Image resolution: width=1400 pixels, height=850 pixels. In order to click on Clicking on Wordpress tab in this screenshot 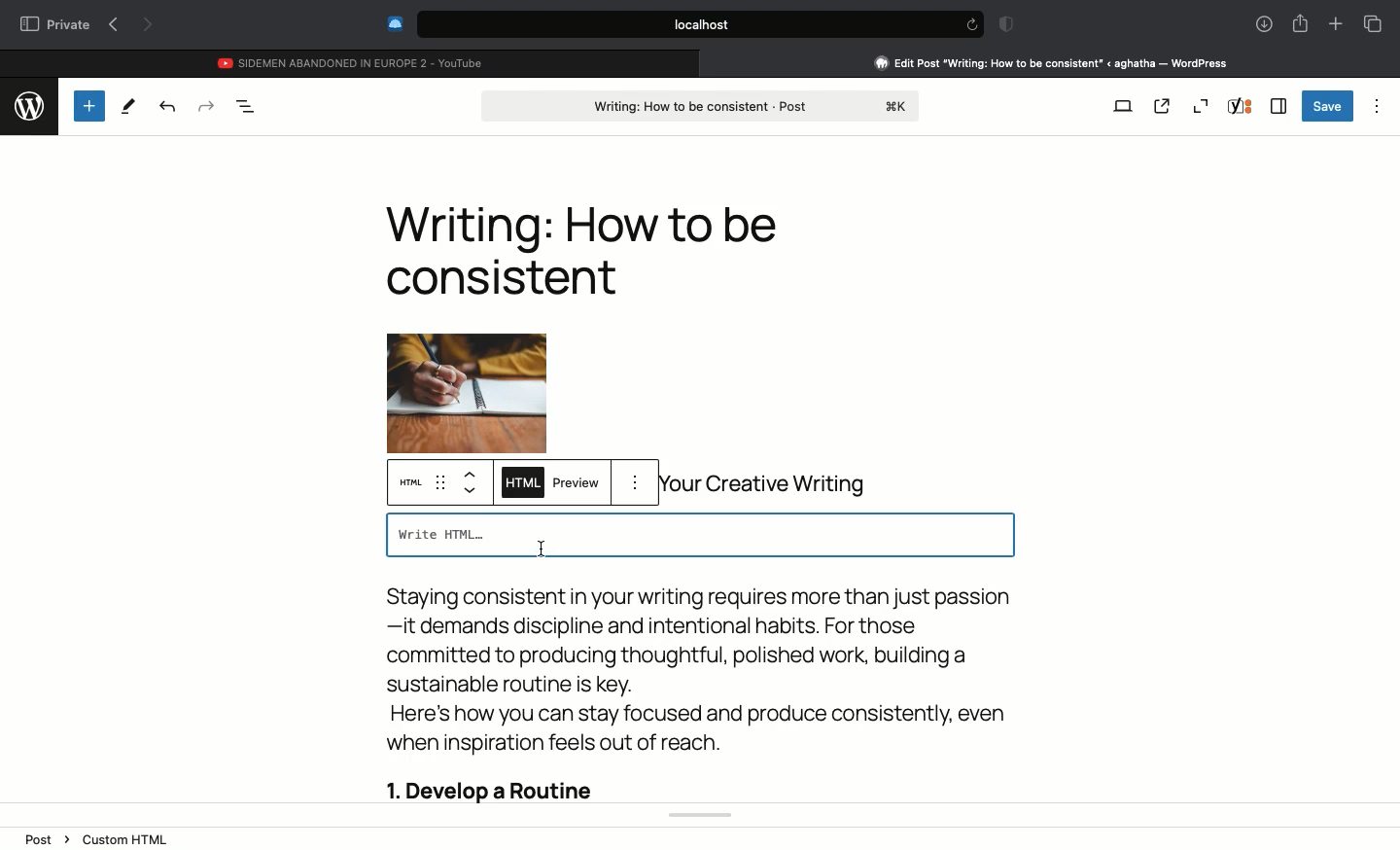, I will do `click(1052, 62)`.